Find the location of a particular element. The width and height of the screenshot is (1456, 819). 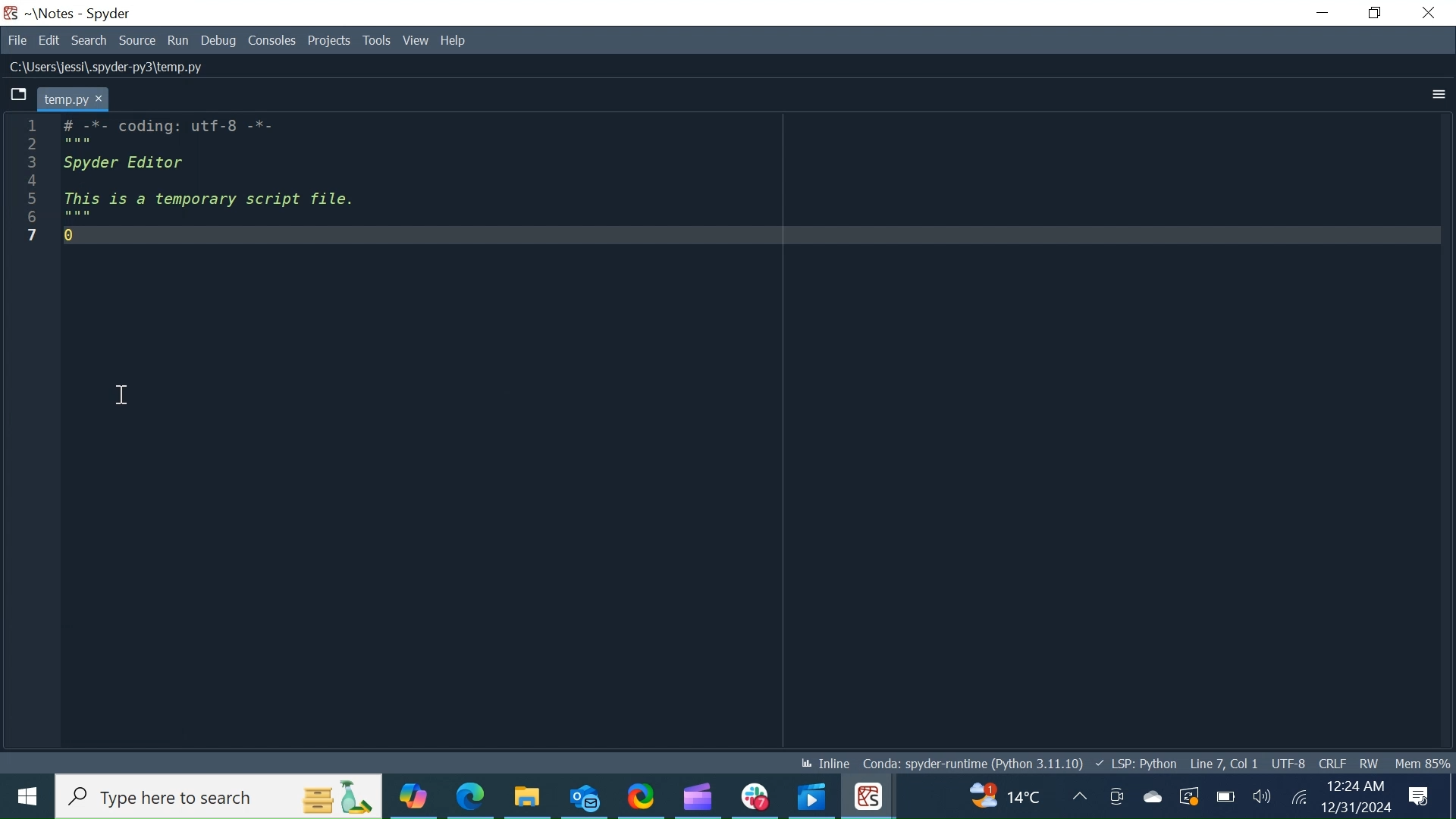

Close is located at coordinates (1429, 14).